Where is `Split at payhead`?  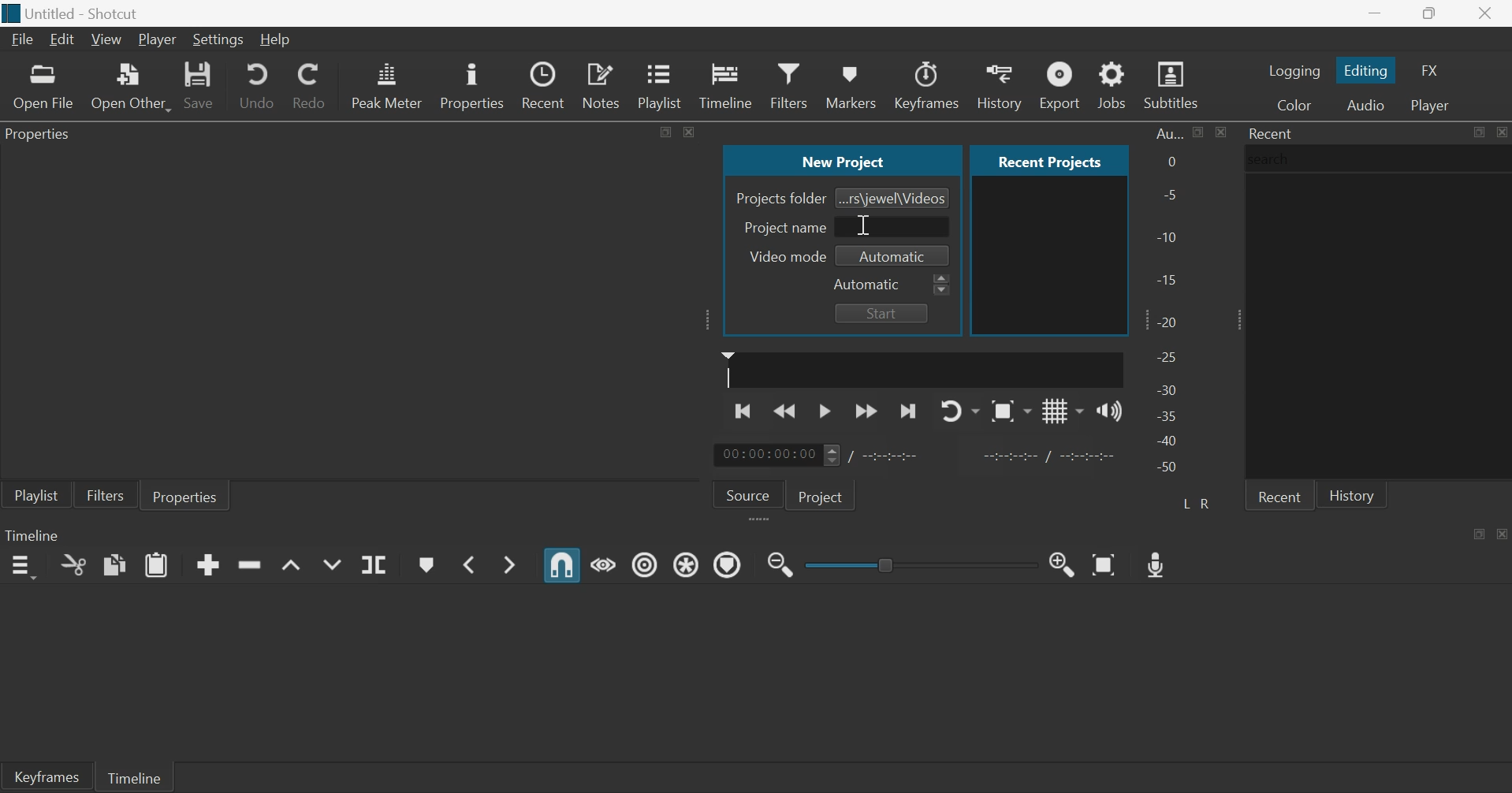
Split at payhead is located at coordinates (375, 565).